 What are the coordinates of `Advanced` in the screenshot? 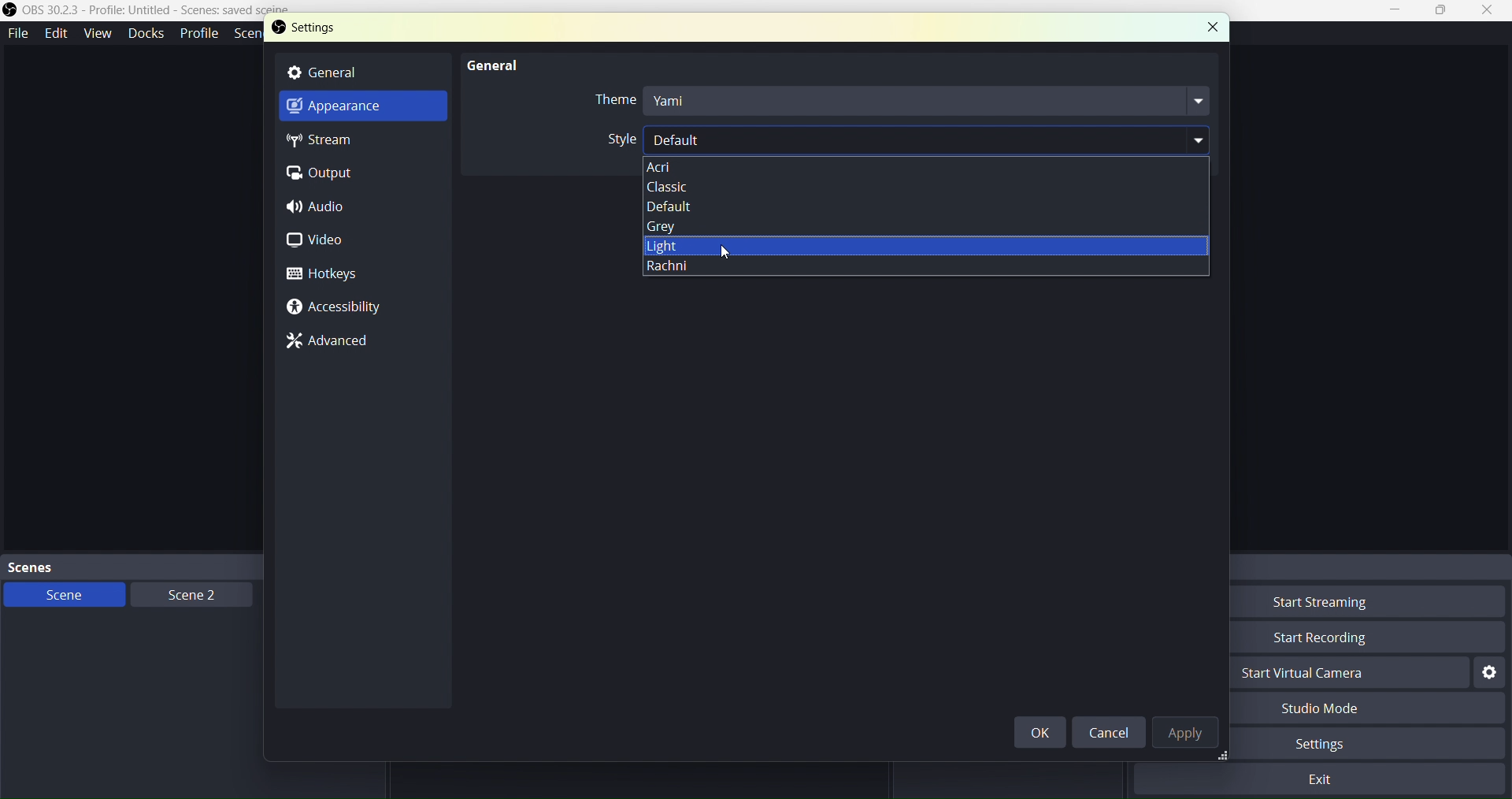 It's located at (337, 342).